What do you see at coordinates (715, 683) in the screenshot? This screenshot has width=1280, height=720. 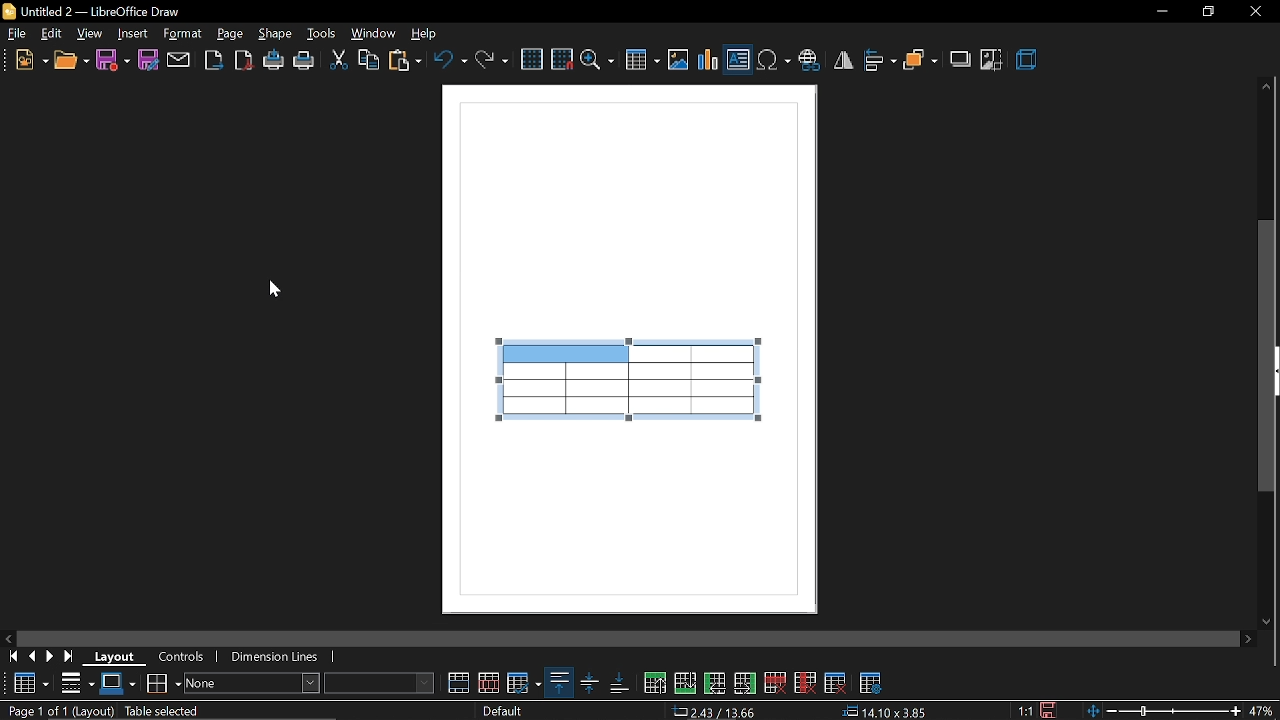 I see `insert column before` at bounding box center [715, 683].